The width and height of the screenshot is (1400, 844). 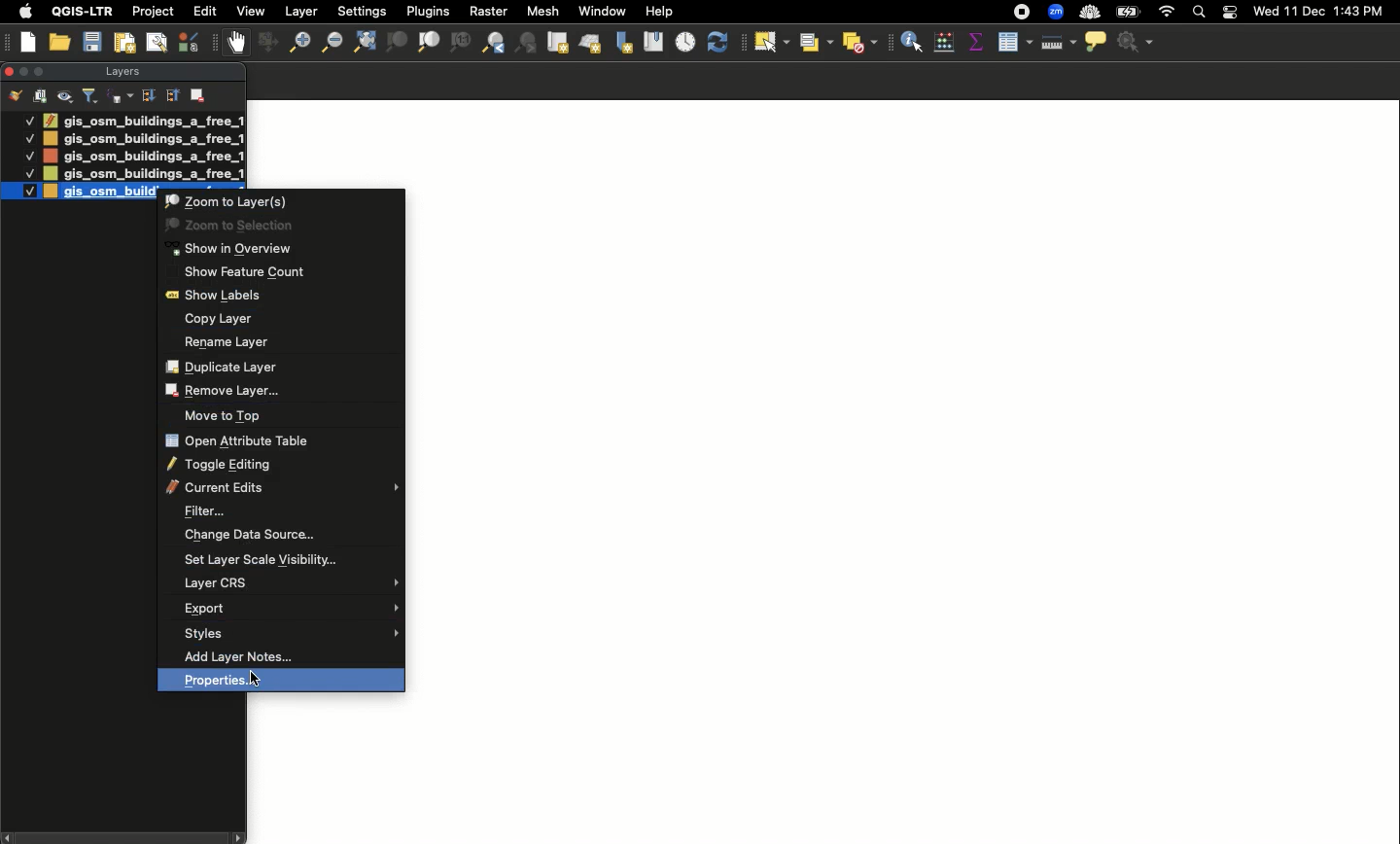 I want to click on , so click(x=891, y=43).